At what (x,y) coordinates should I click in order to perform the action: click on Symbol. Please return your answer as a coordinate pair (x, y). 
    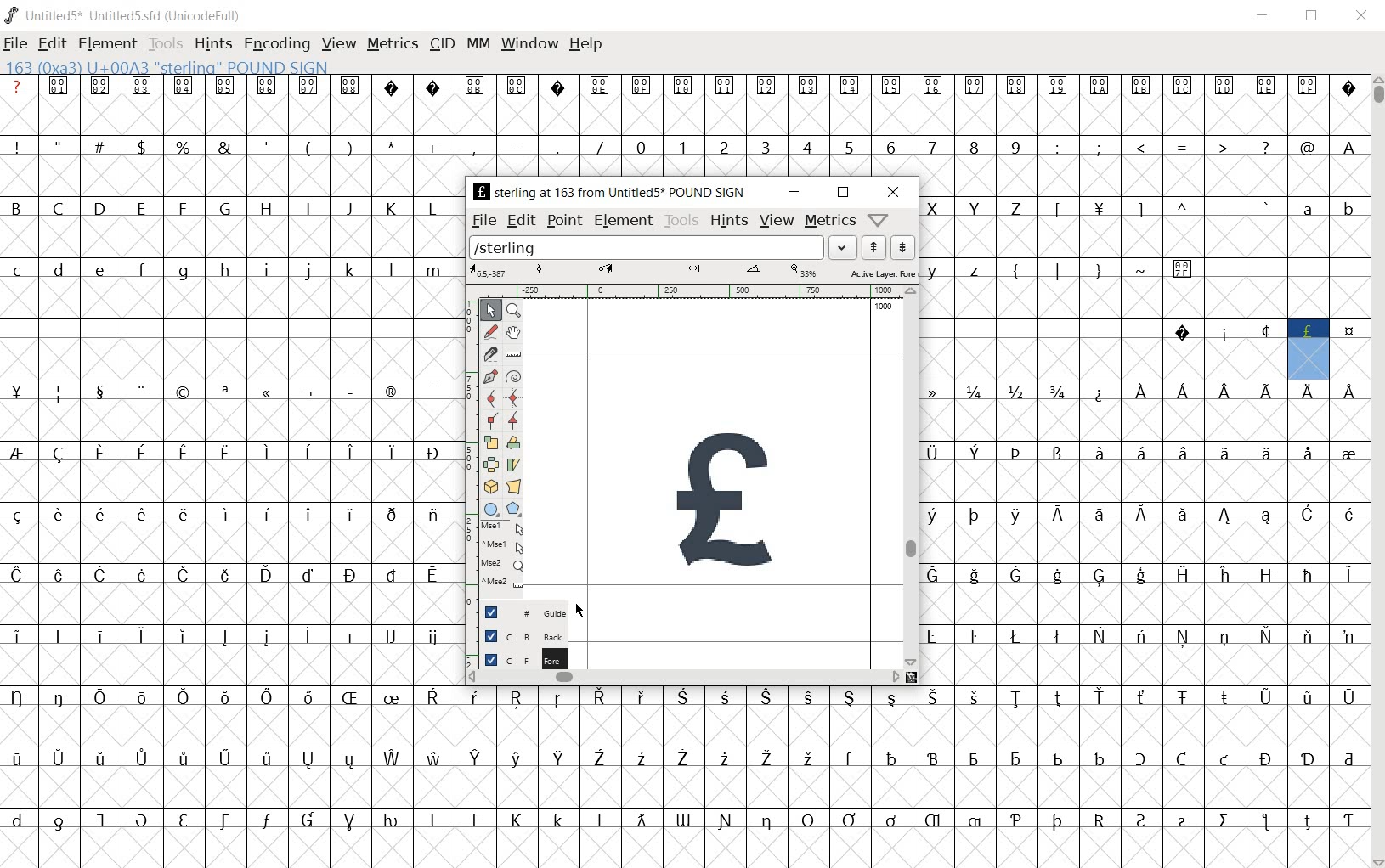
    Looking at the image, I should click on (389, 700).